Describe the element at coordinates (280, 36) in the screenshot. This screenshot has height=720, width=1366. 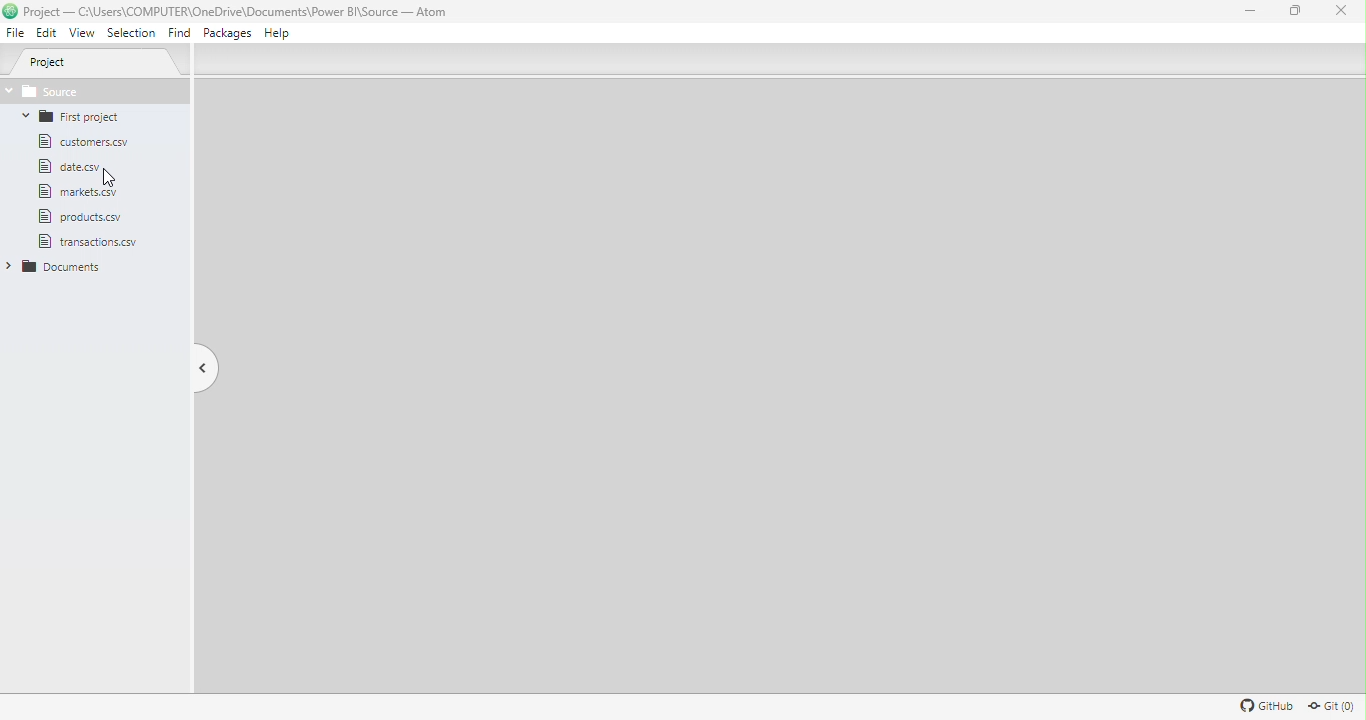
I see `Help` at that location.